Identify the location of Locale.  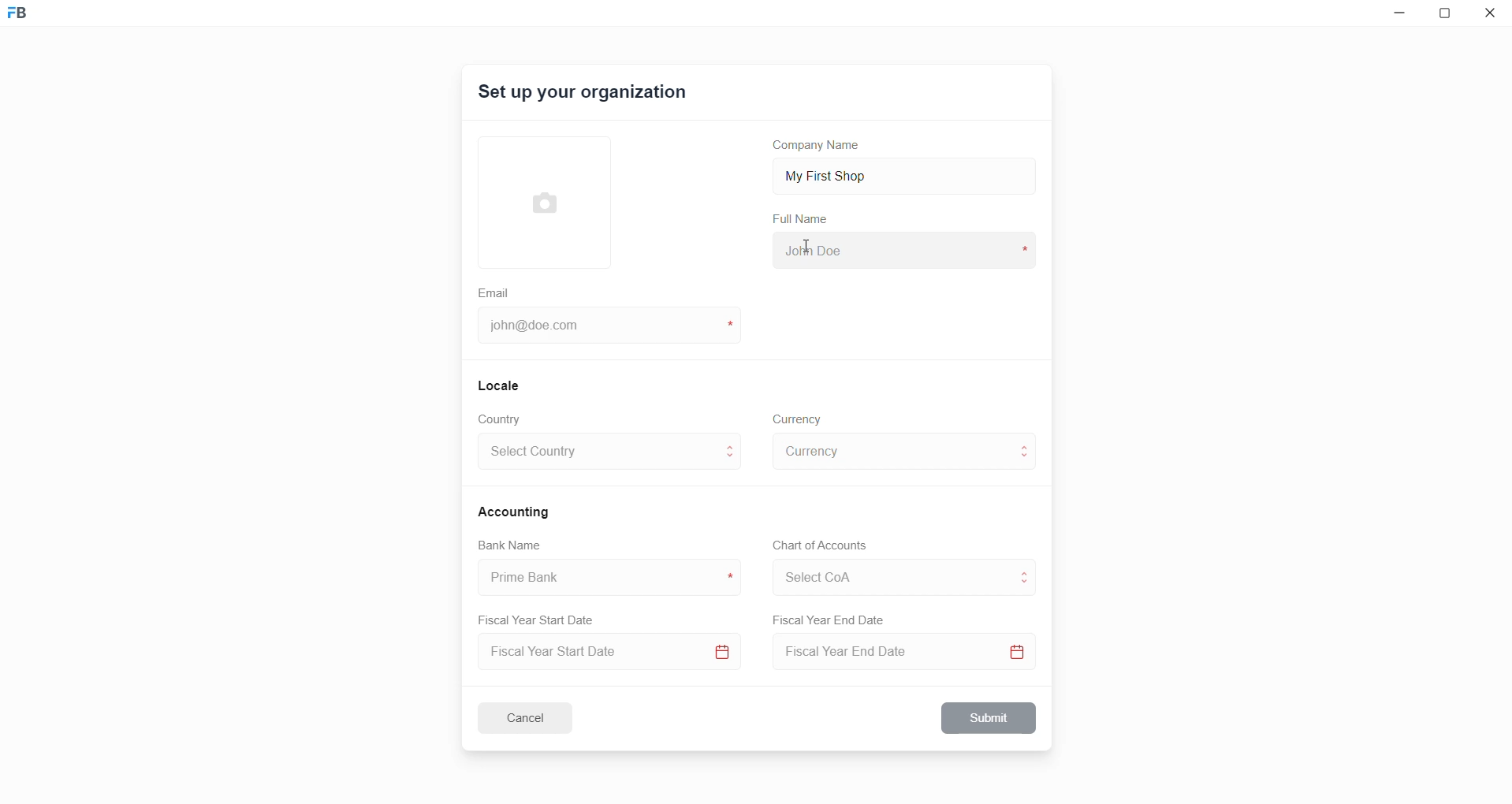
(500, 385).